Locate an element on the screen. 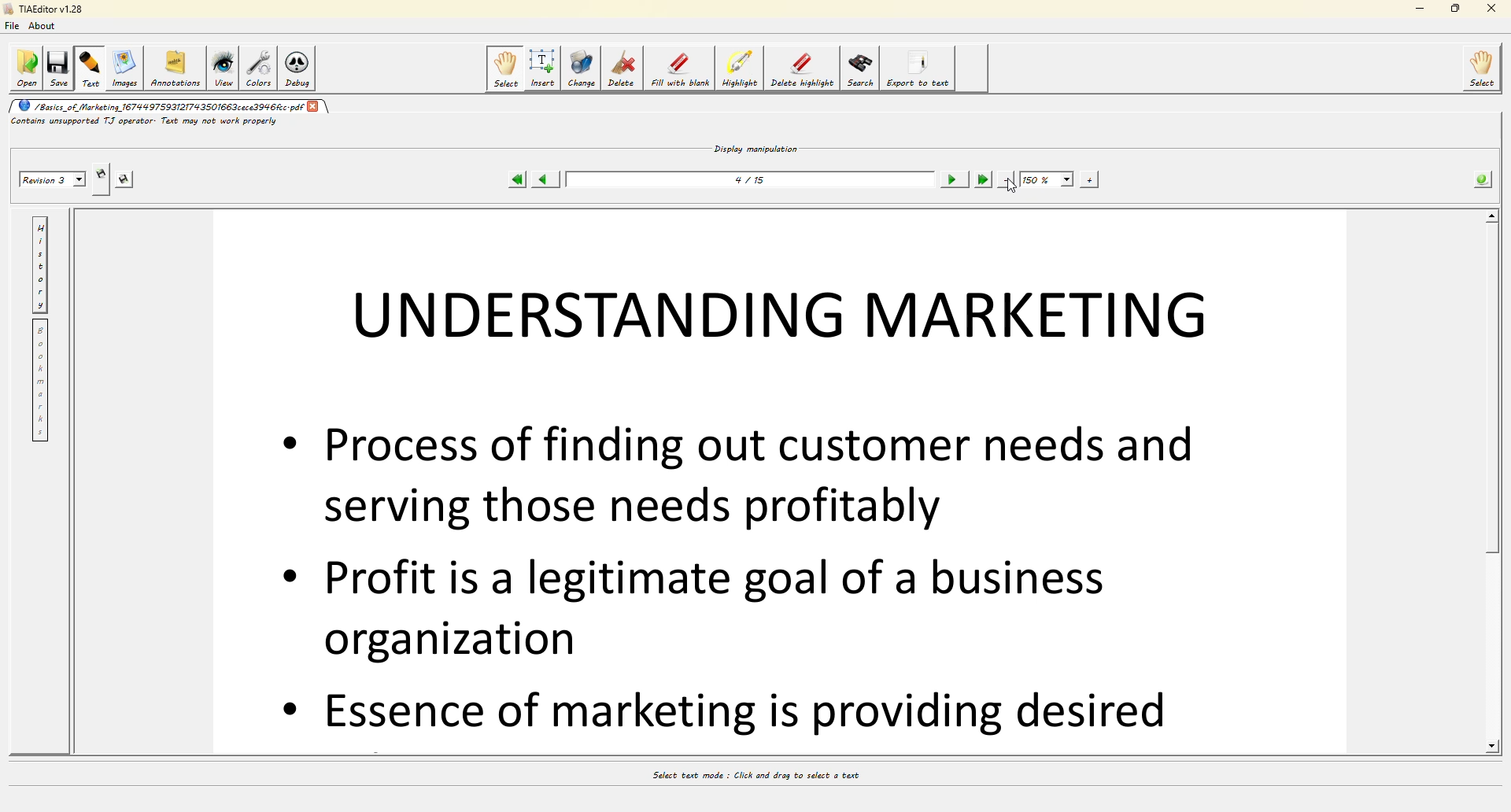 The height and width of the screenshot is (812, 1511). text is located at coordinates (90, 70).